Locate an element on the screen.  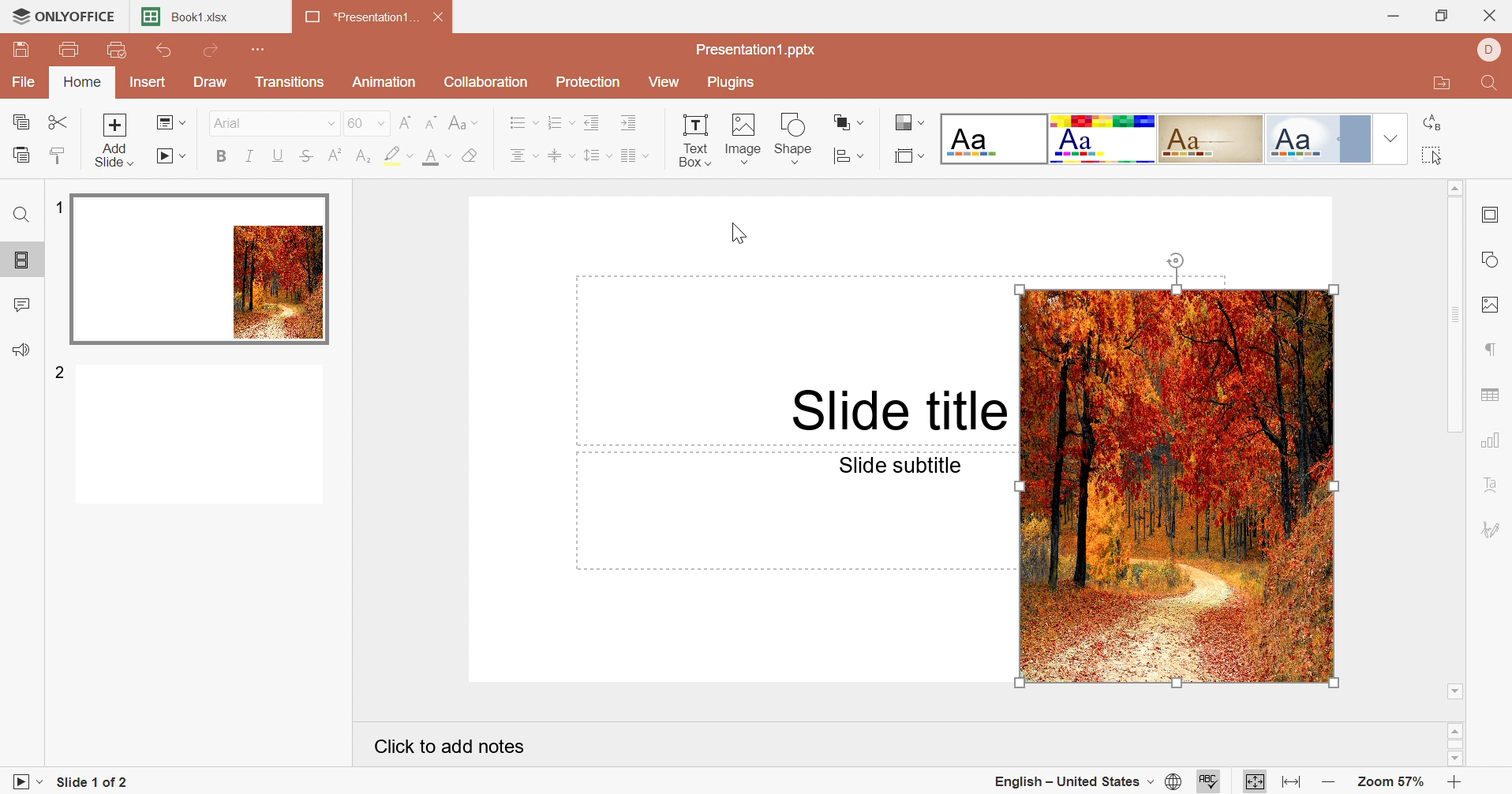
Zoom out is located at coordinates (1327, 783).